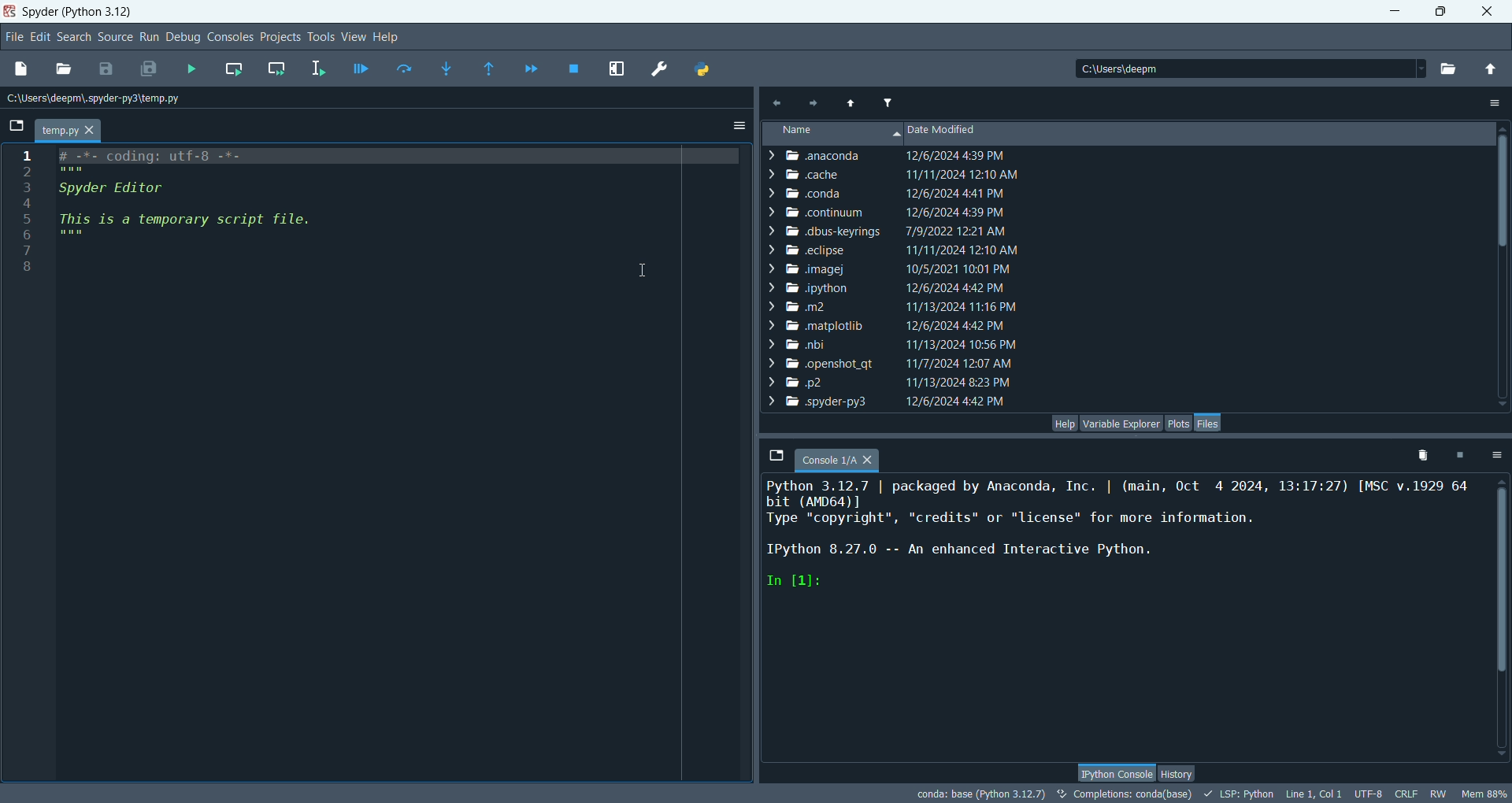 Image resolution: width=1512 pixels, height=803 pixels. What do you see at coordinates (773, 453) in the screenshot?
I see `browse tabs` at bounding box center [773, 453].